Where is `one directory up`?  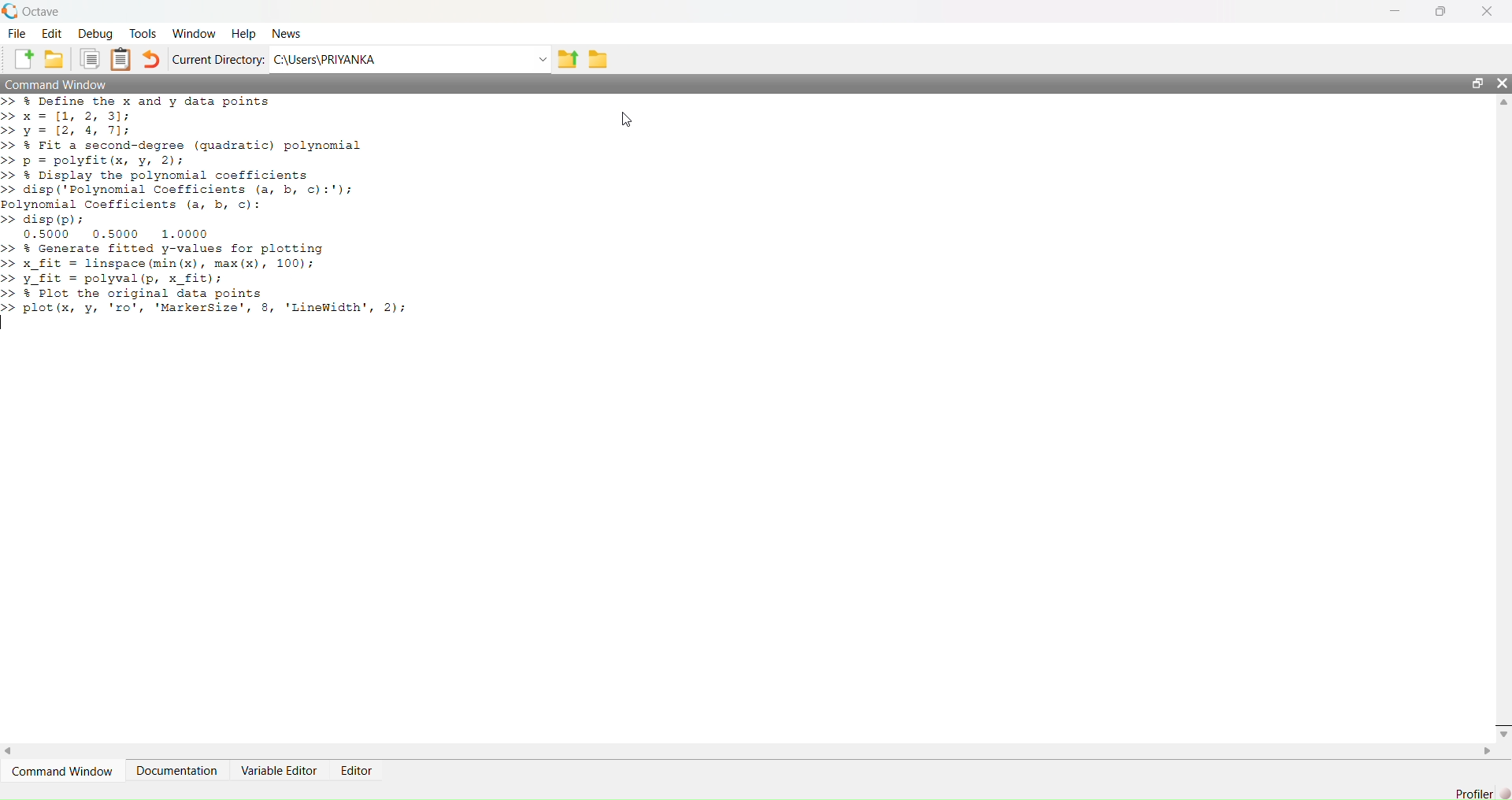
one directory up is located at coordinates (570, 57).